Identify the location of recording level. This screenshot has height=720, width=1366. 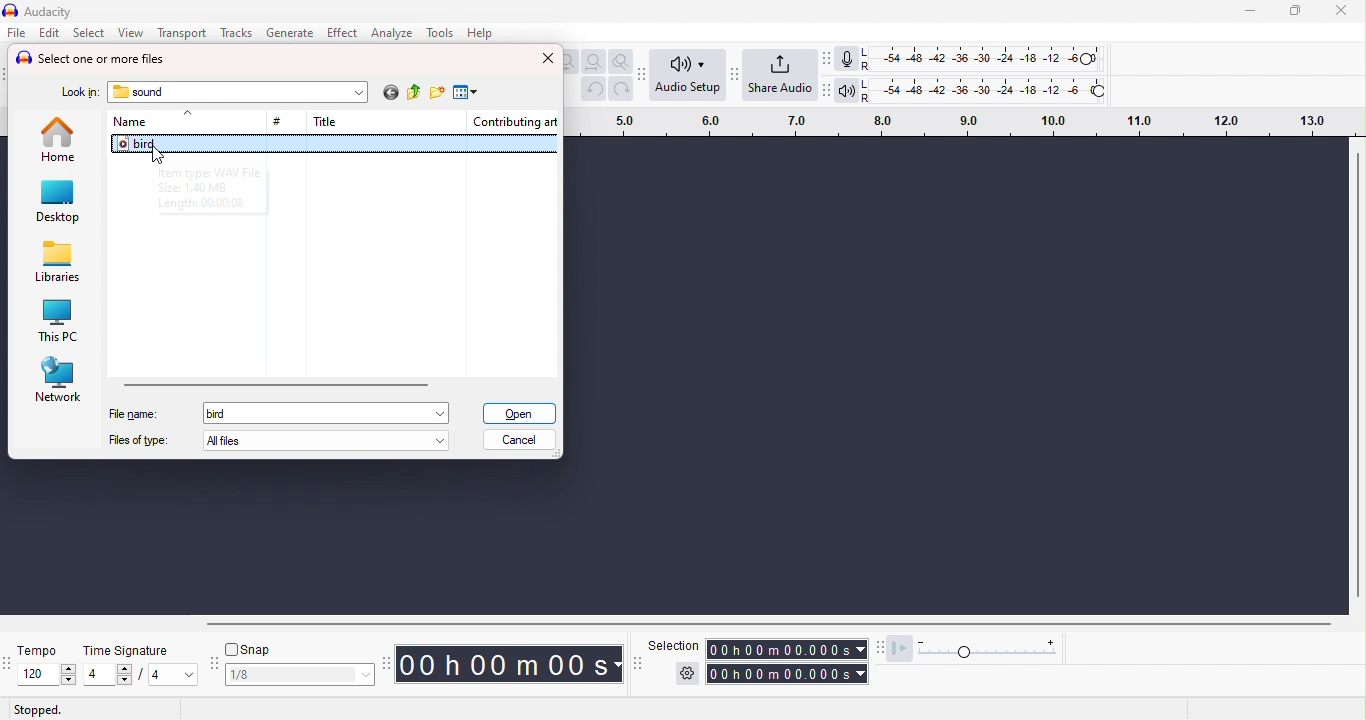
(981, 58).